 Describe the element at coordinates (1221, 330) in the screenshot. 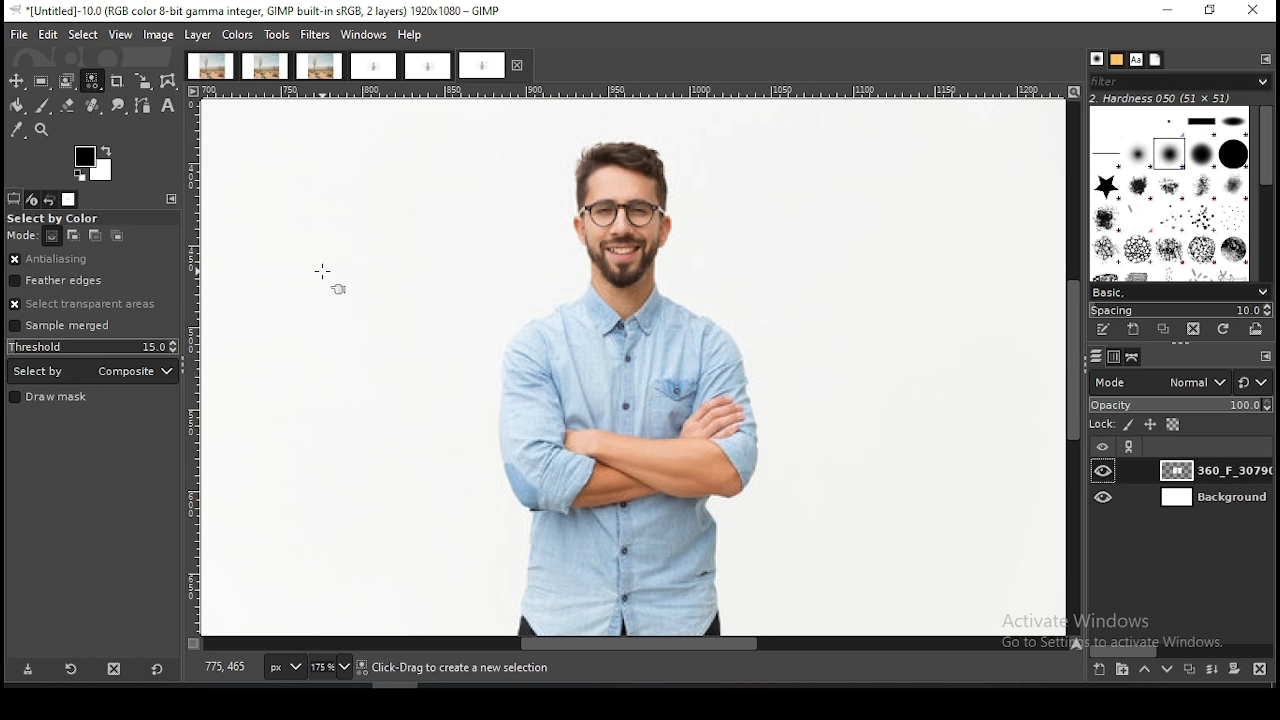

I see `refresh brushes` at that location.